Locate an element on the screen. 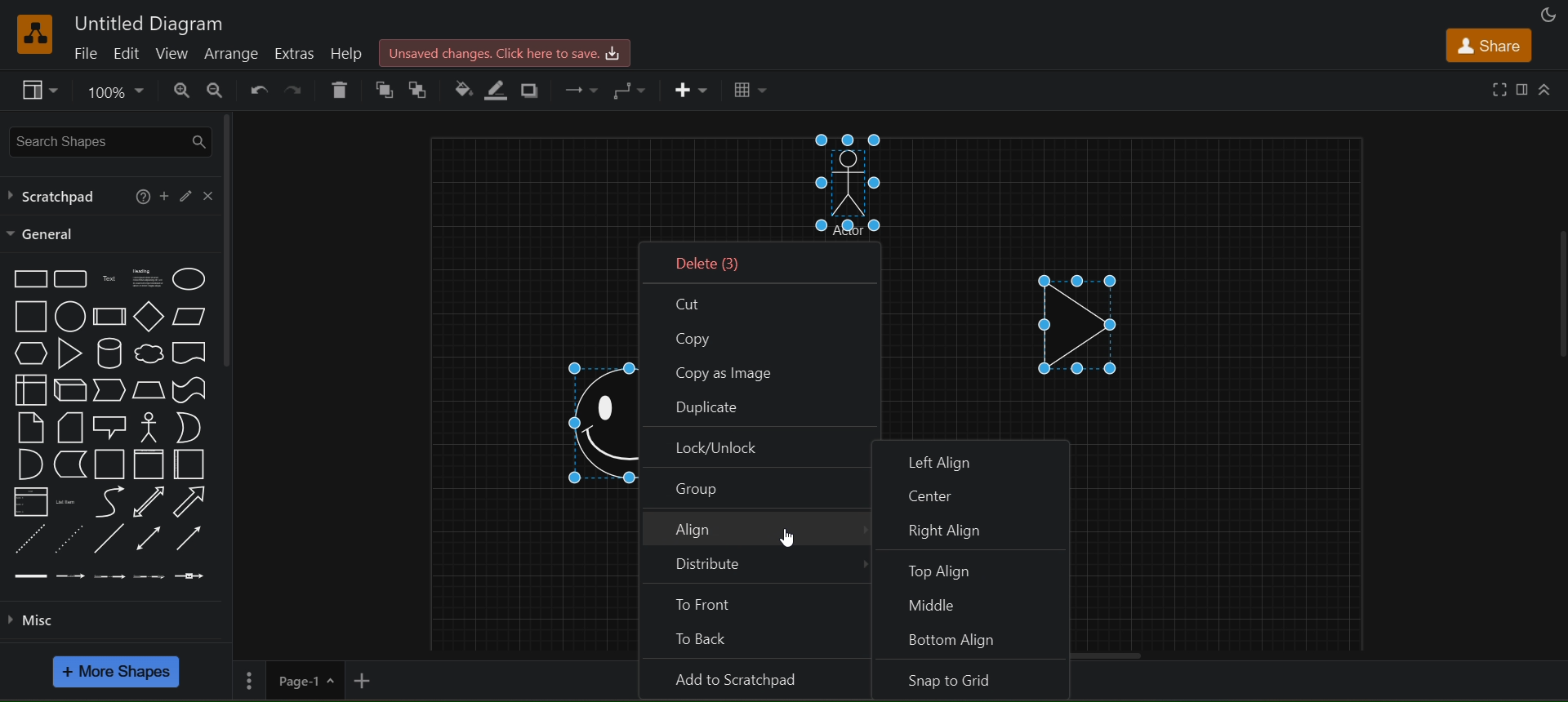 Image resolution: width=1568 pixels, height=702 pixels. view is located at coordinates (171, 52).